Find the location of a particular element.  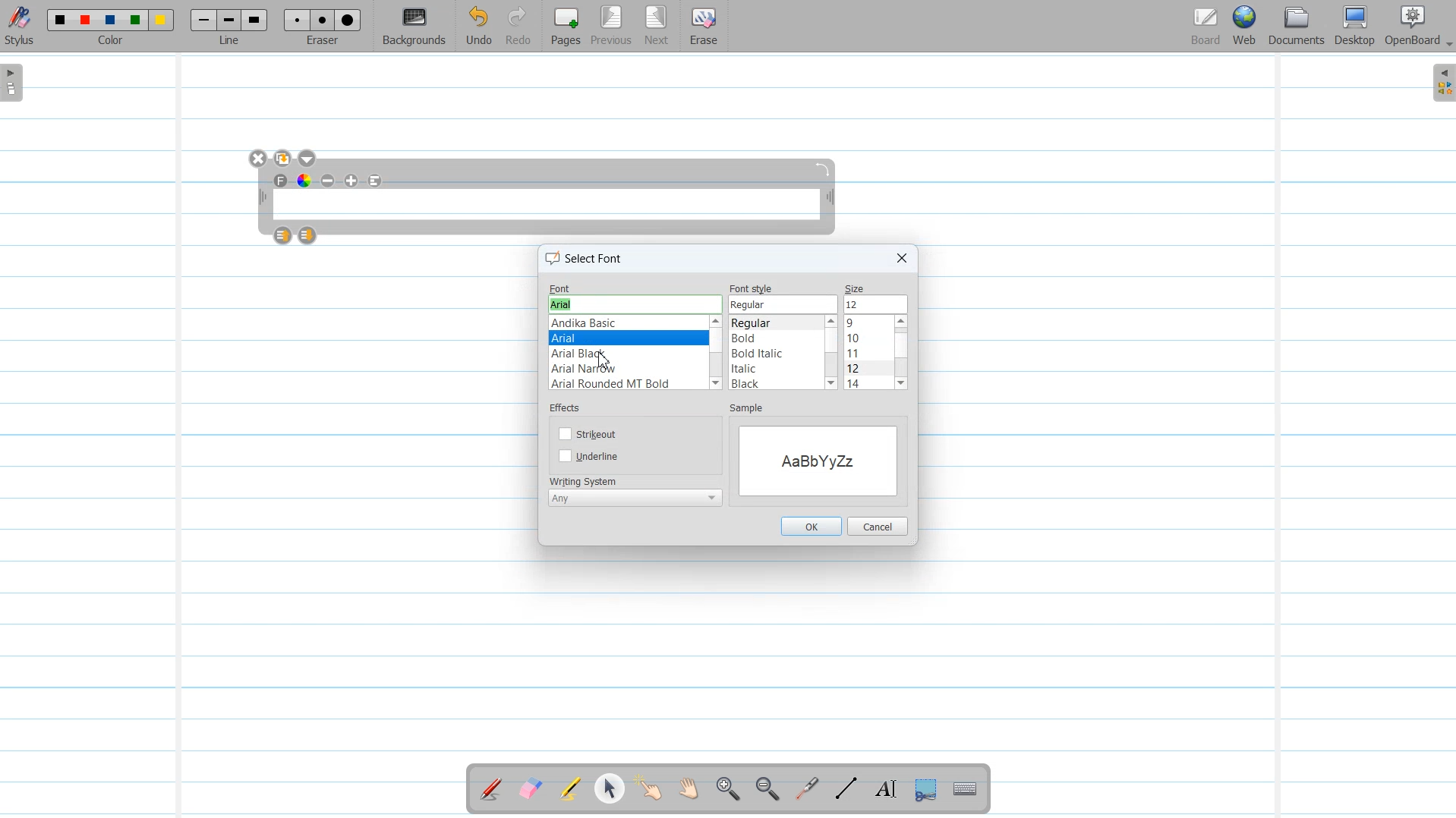

Duplicate text  is located at coordinates (284, 159).